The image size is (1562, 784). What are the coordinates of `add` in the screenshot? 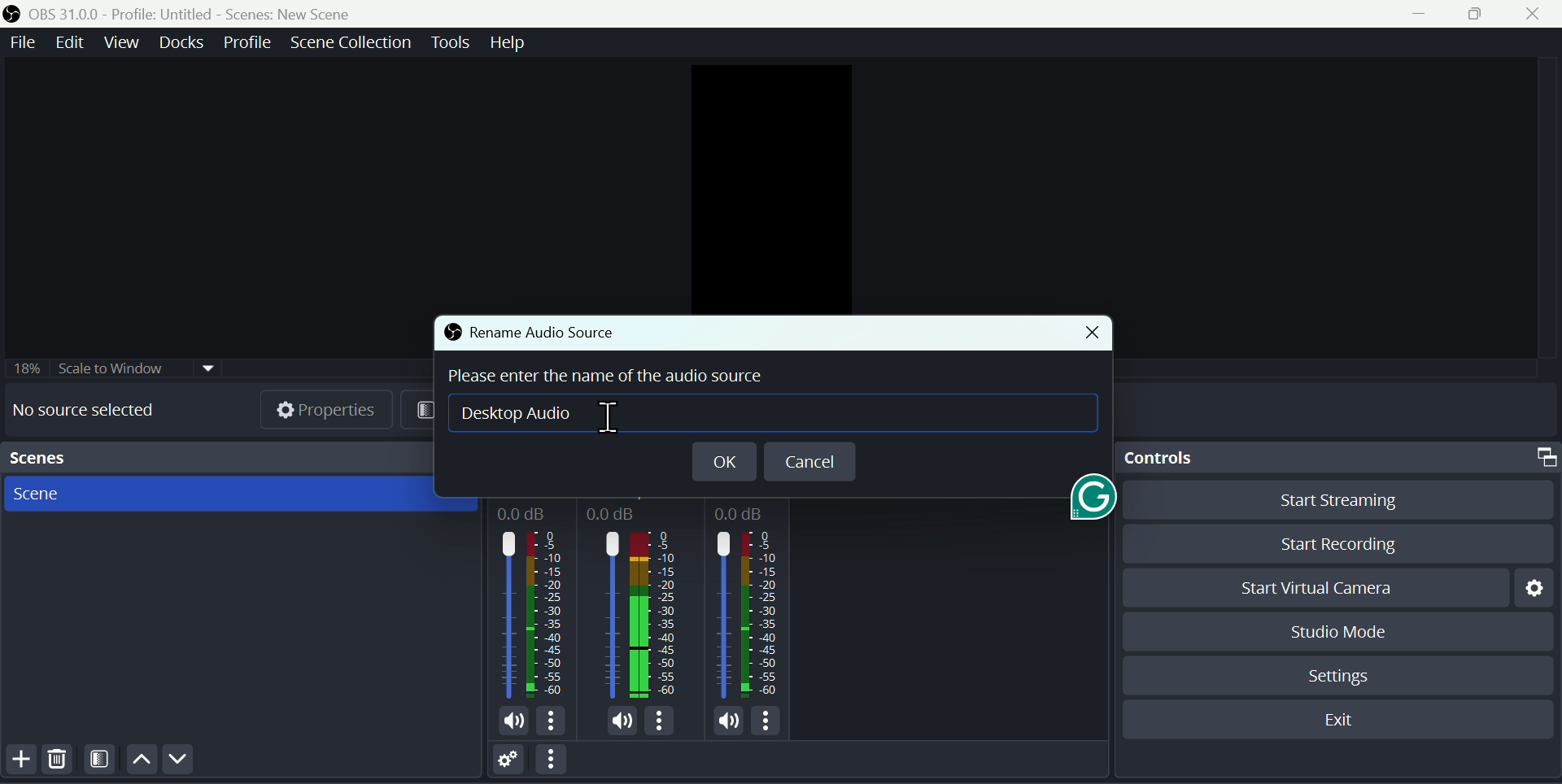 It's located at (20, 762).